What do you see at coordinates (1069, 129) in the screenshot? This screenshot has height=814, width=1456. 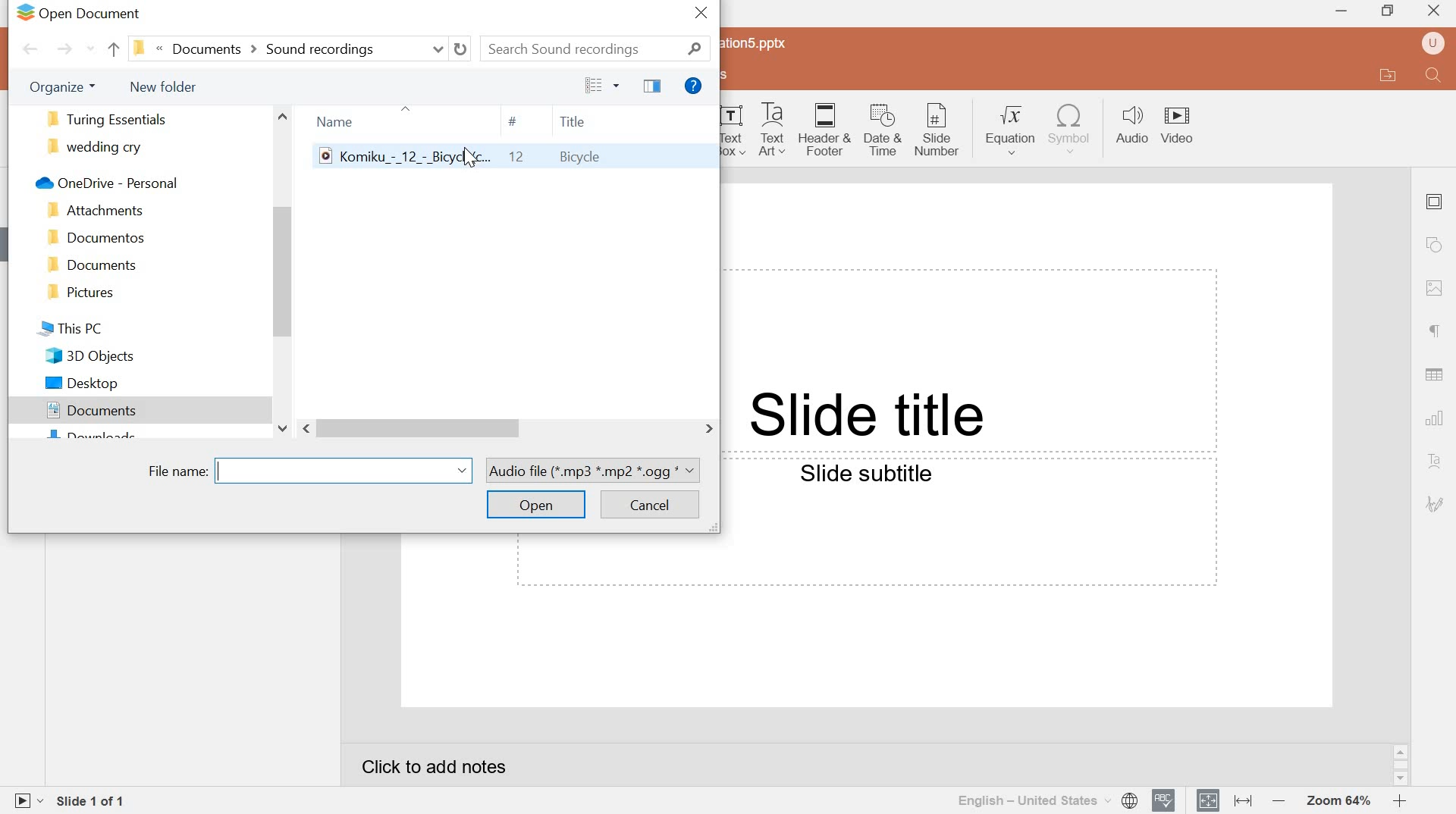 I see `symbol` at bounding box center [1069, 129].